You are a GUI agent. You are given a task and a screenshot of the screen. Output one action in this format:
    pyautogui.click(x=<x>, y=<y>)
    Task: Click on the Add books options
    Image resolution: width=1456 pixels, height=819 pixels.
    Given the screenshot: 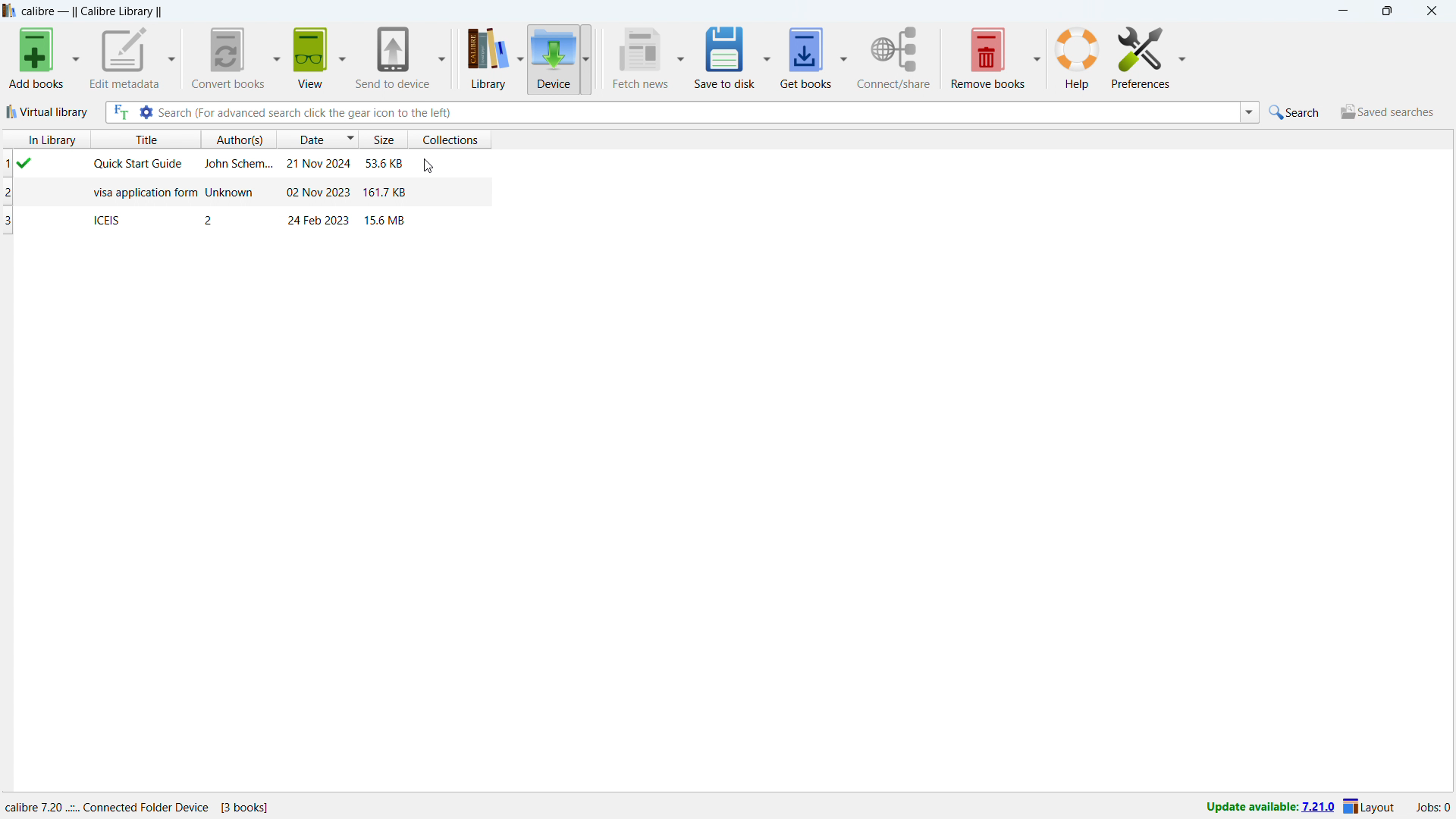 What is the action you would take?
    pyautogui.click(x=76, y=58)
    